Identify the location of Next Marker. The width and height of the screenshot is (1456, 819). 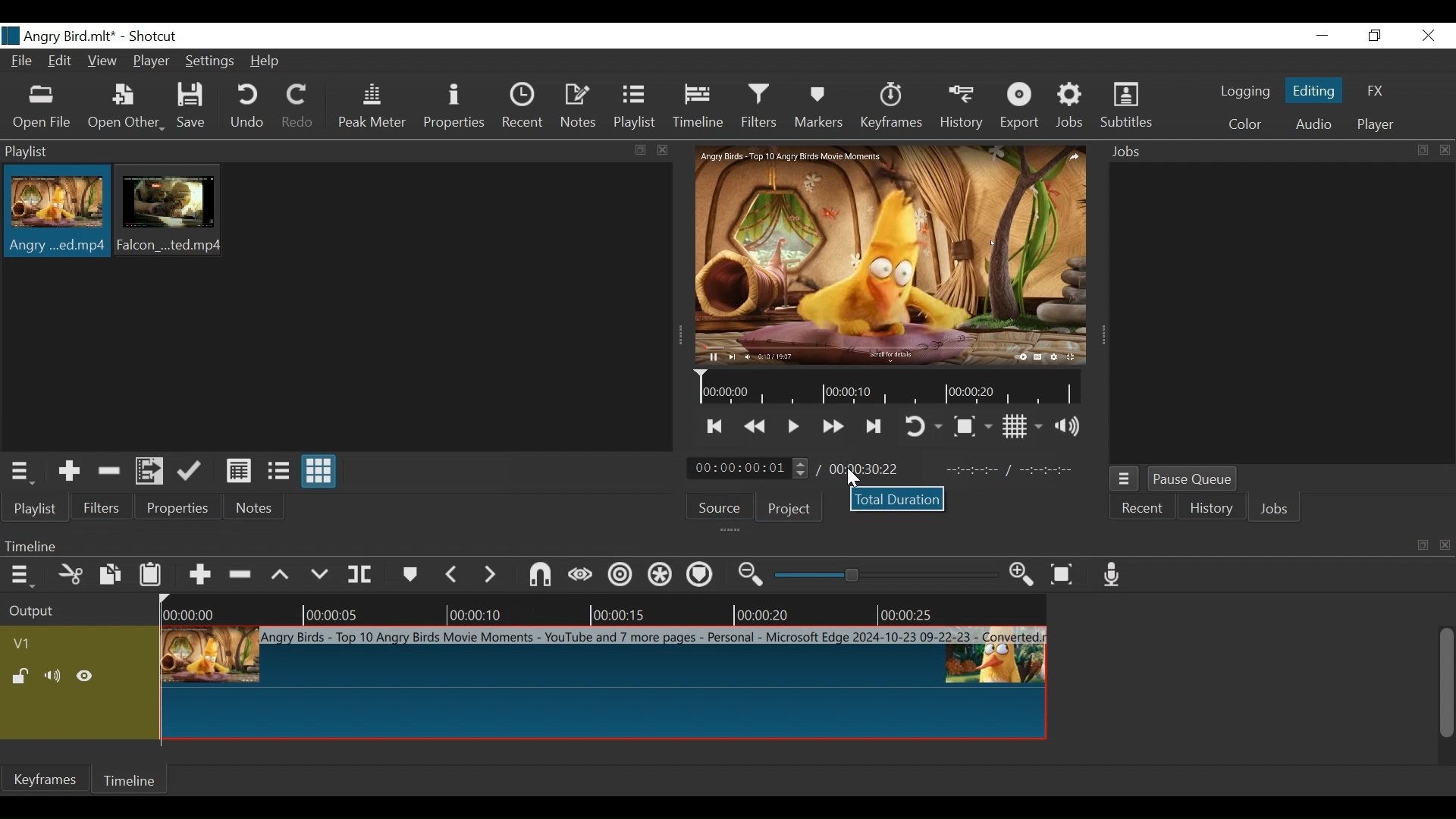
(491, 576).